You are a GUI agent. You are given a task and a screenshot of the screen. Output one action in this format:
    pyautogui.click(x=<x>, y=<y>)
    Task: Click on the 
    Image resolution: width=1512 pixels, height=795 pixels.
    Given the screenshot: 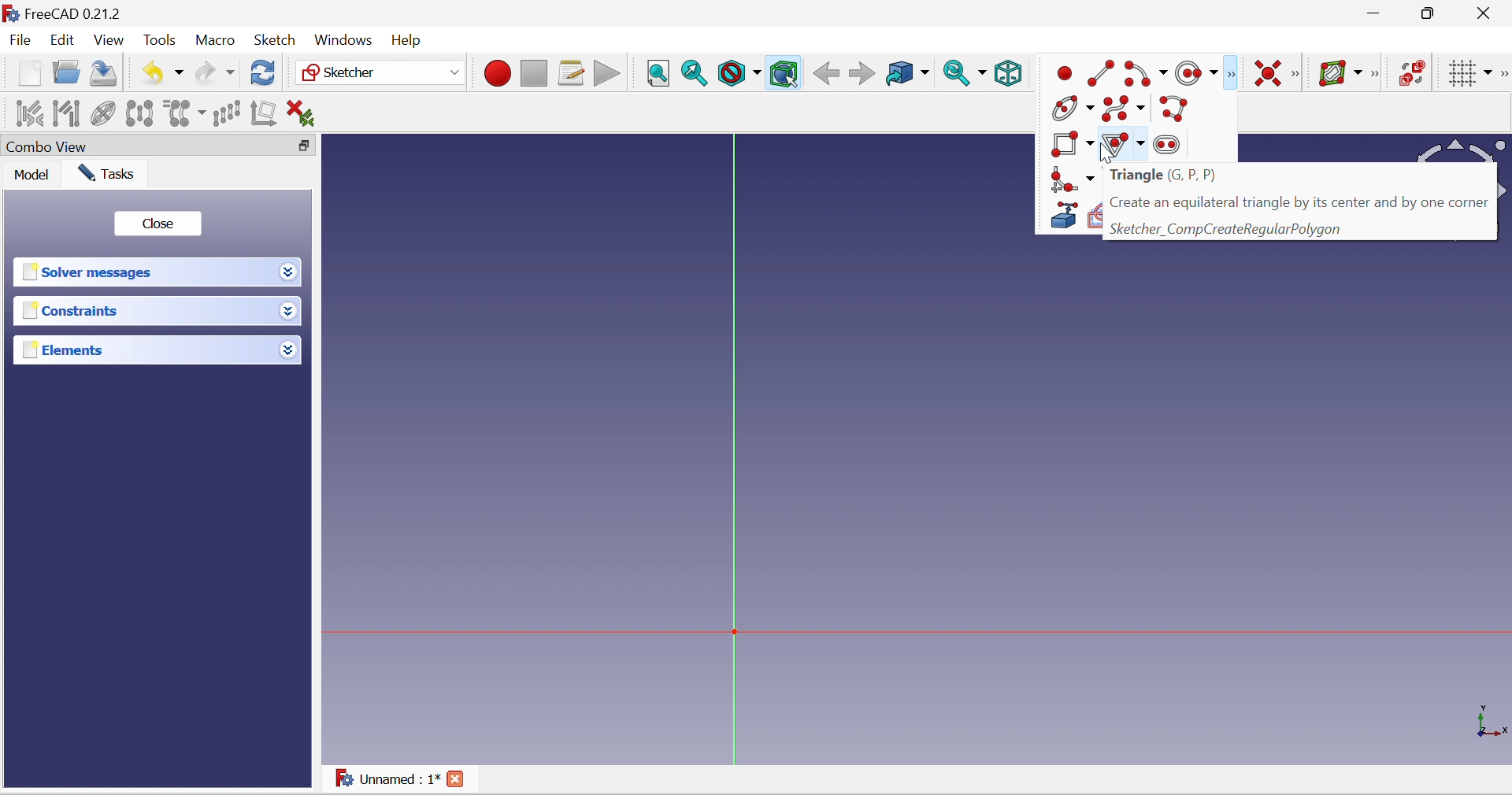 What is the action you would take?
    pyautogui.click(x=410, y=41)
    